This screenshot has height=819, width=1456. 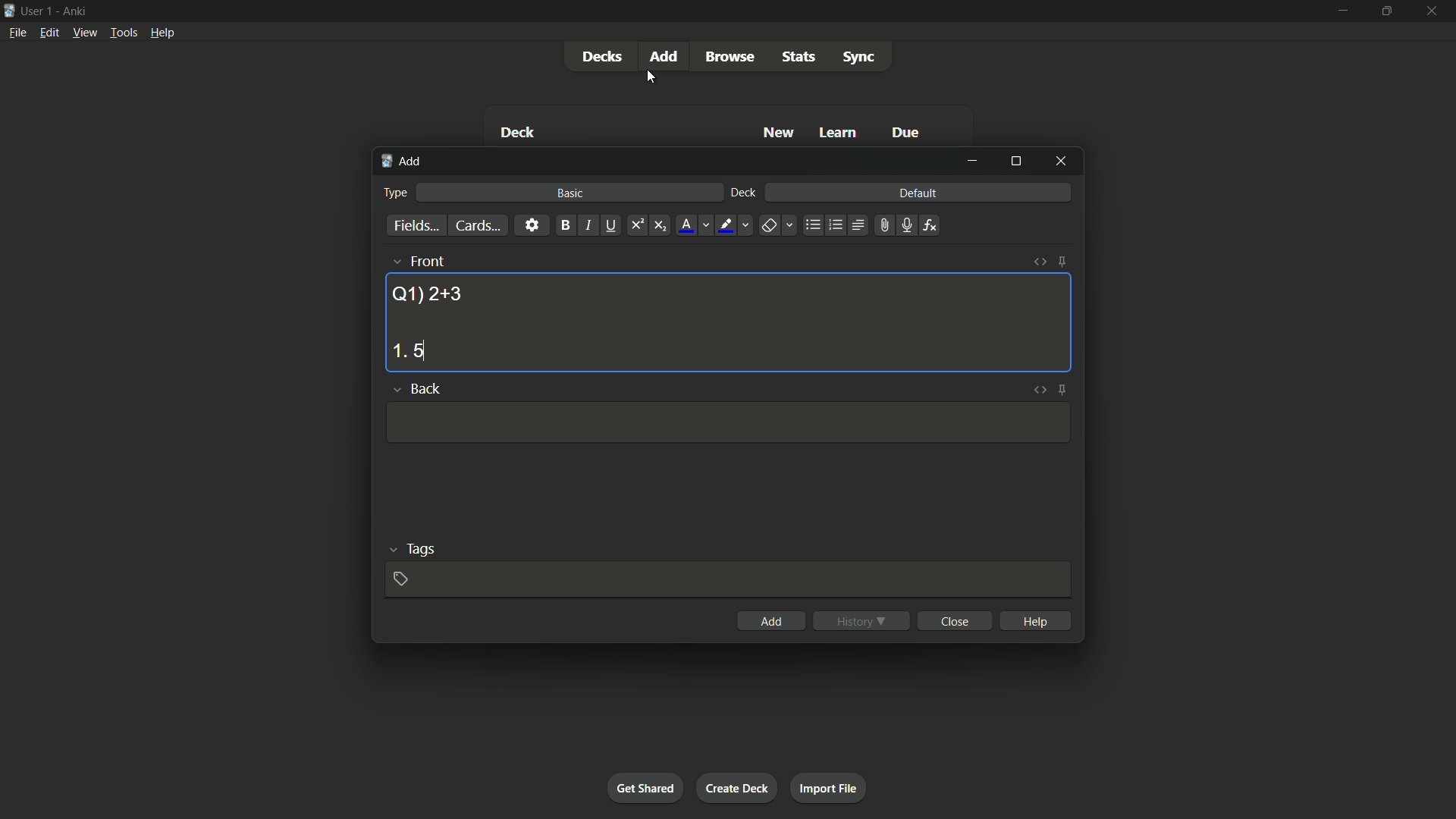 I want to click on settings, so click(x=532, y=224).